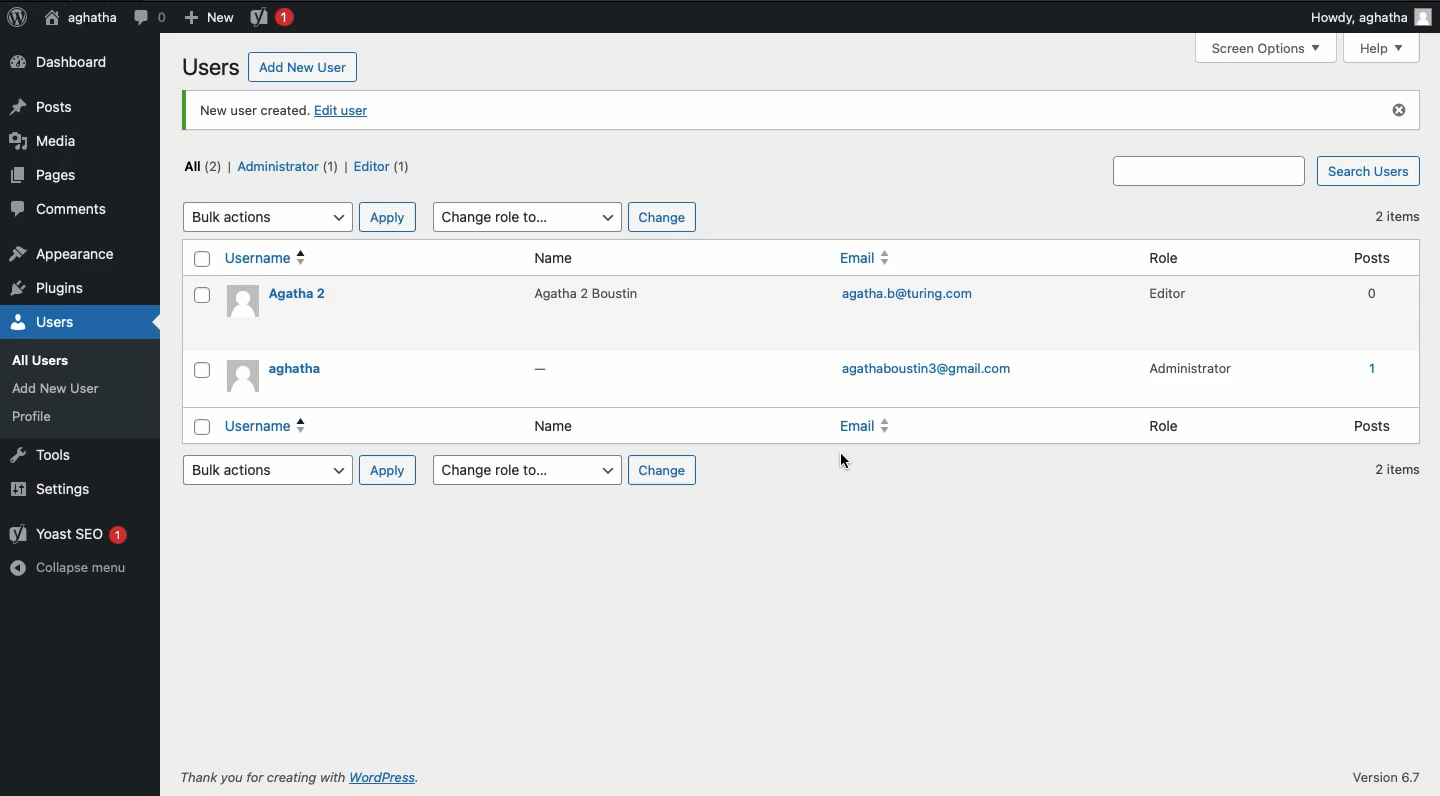 The width and height of the screenshot is (1440, 796). What do you see at coordinates (384, 217) in the screenshot?
I see `Apply` at bounding box center [384, 217].